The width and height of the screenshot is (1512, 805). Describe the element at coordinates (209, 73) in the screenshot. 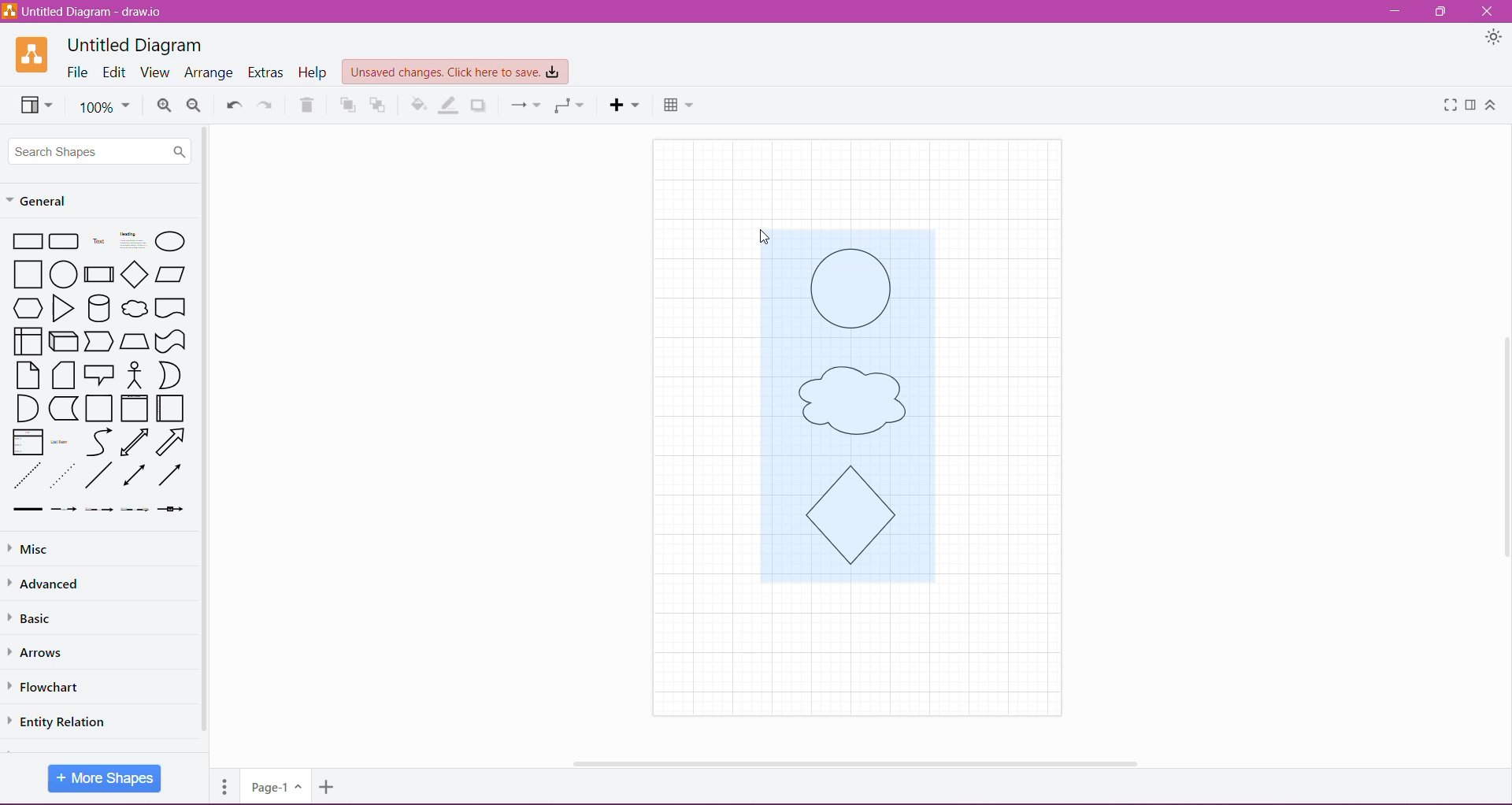

I see `Arrange` at that location.